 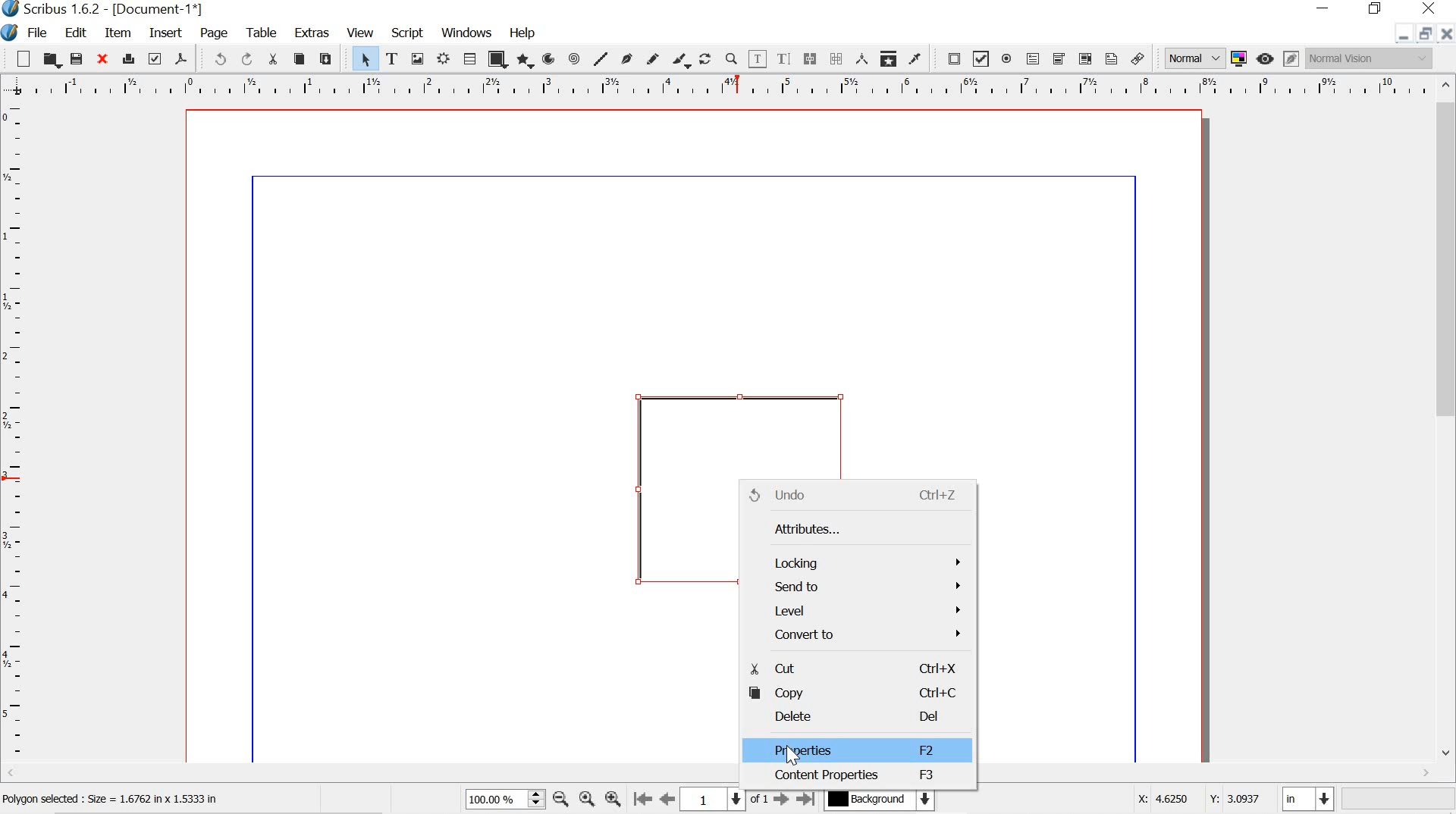 What do you see at coordinates (115, 10) in the screenshot?
I see `Scribus 1.6.2 - [Document-1*]` at bounding box center [115, 10].